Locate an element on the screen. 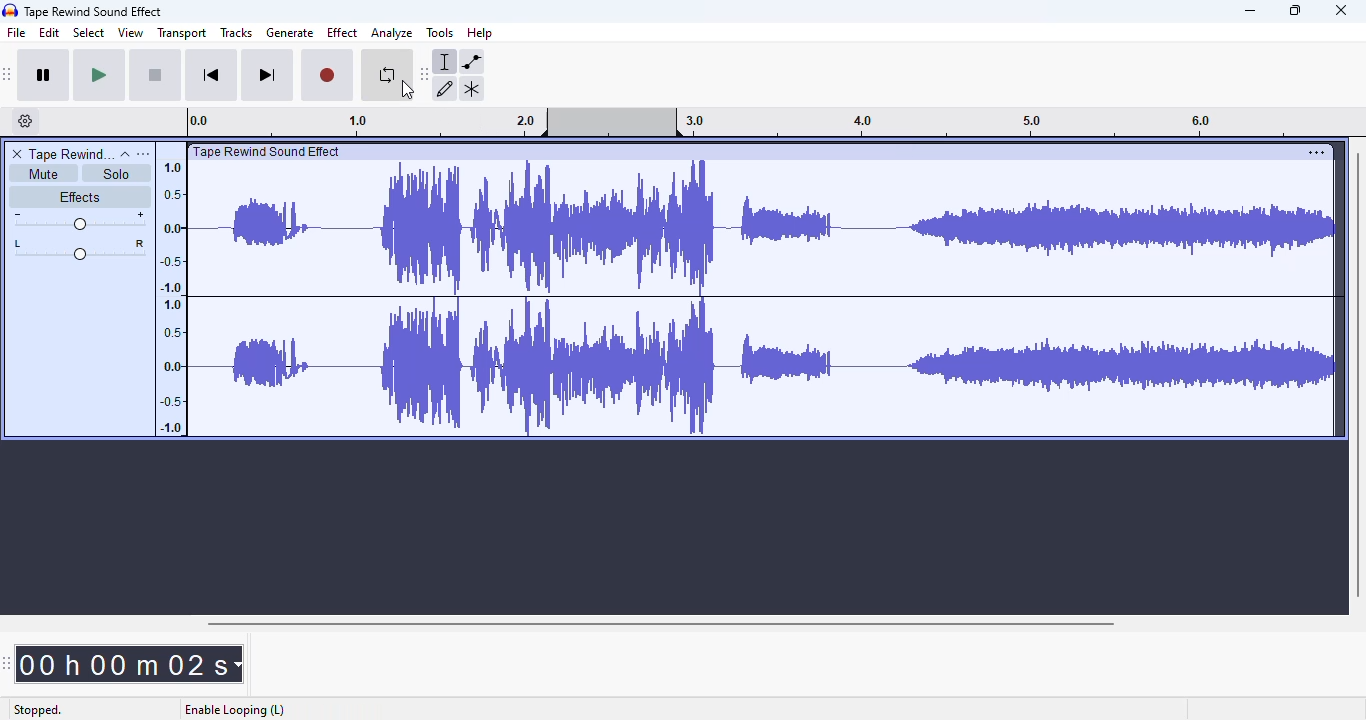  cursor is located at coordinates (406, 90).